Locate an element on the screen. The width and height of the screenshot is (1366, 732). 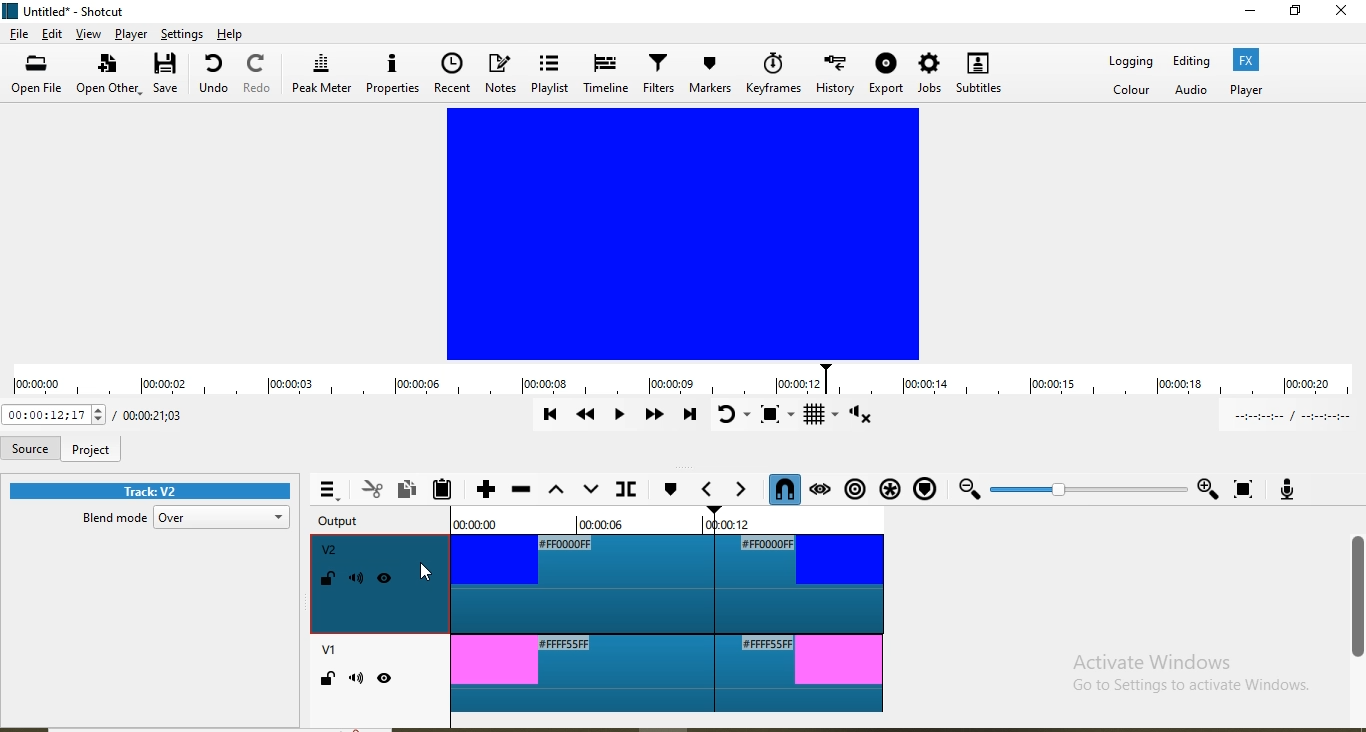
minimise is located at coordinates (1237, 15).